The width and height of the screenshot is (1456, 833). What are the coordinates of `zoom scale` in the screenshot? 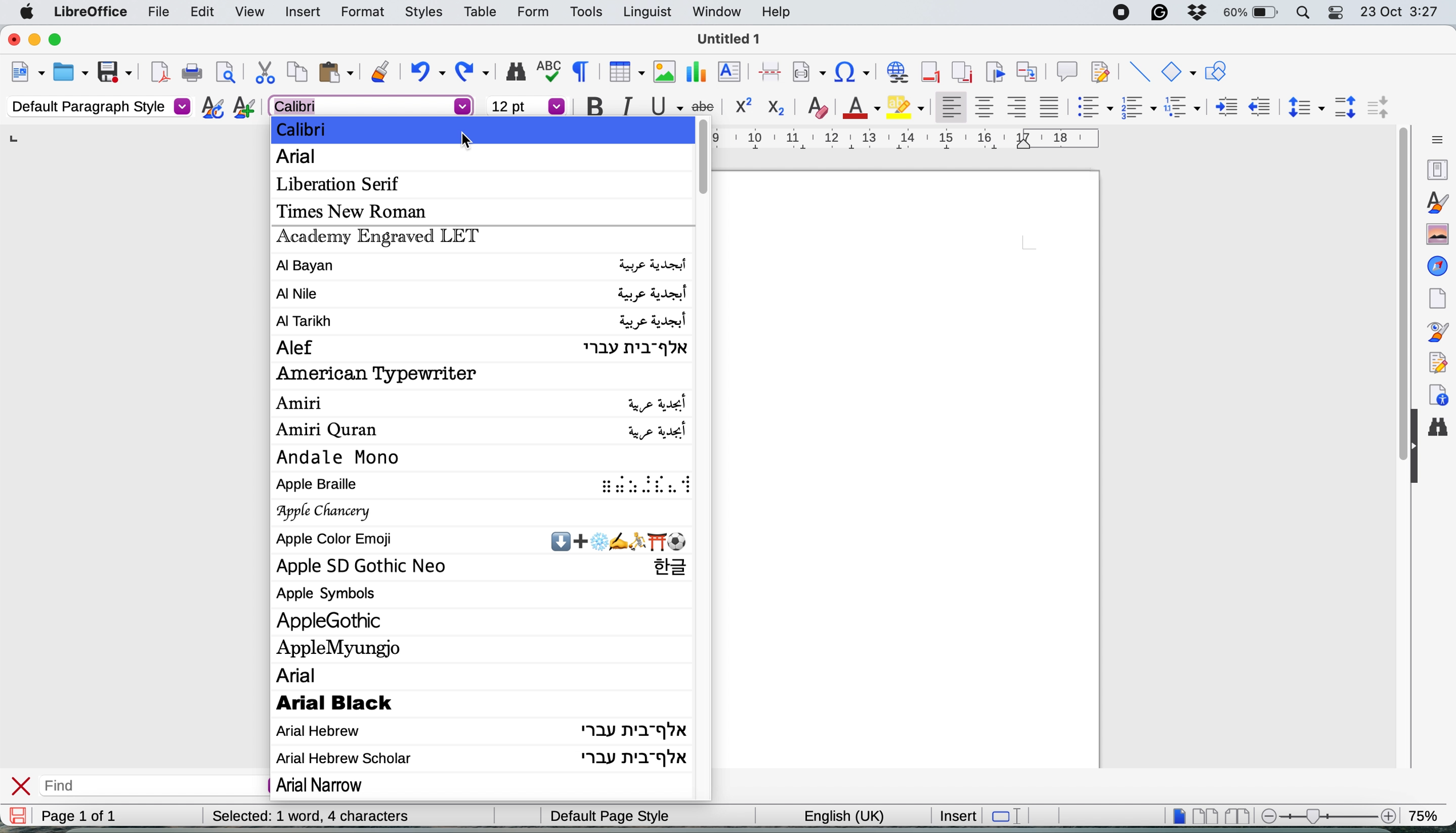 It's located at (1326, 815).